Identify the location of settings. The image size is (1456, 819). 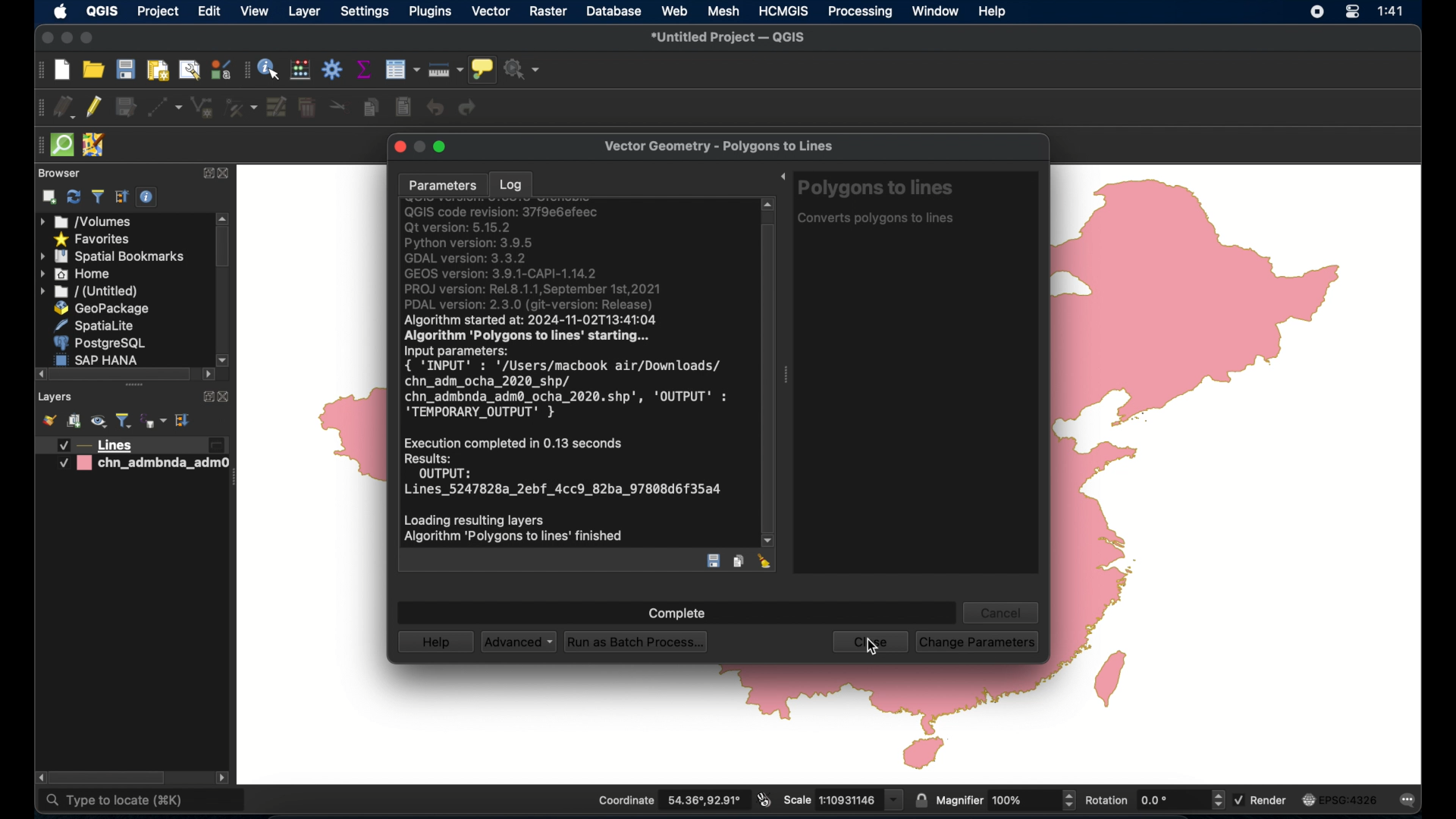
(366, 13).